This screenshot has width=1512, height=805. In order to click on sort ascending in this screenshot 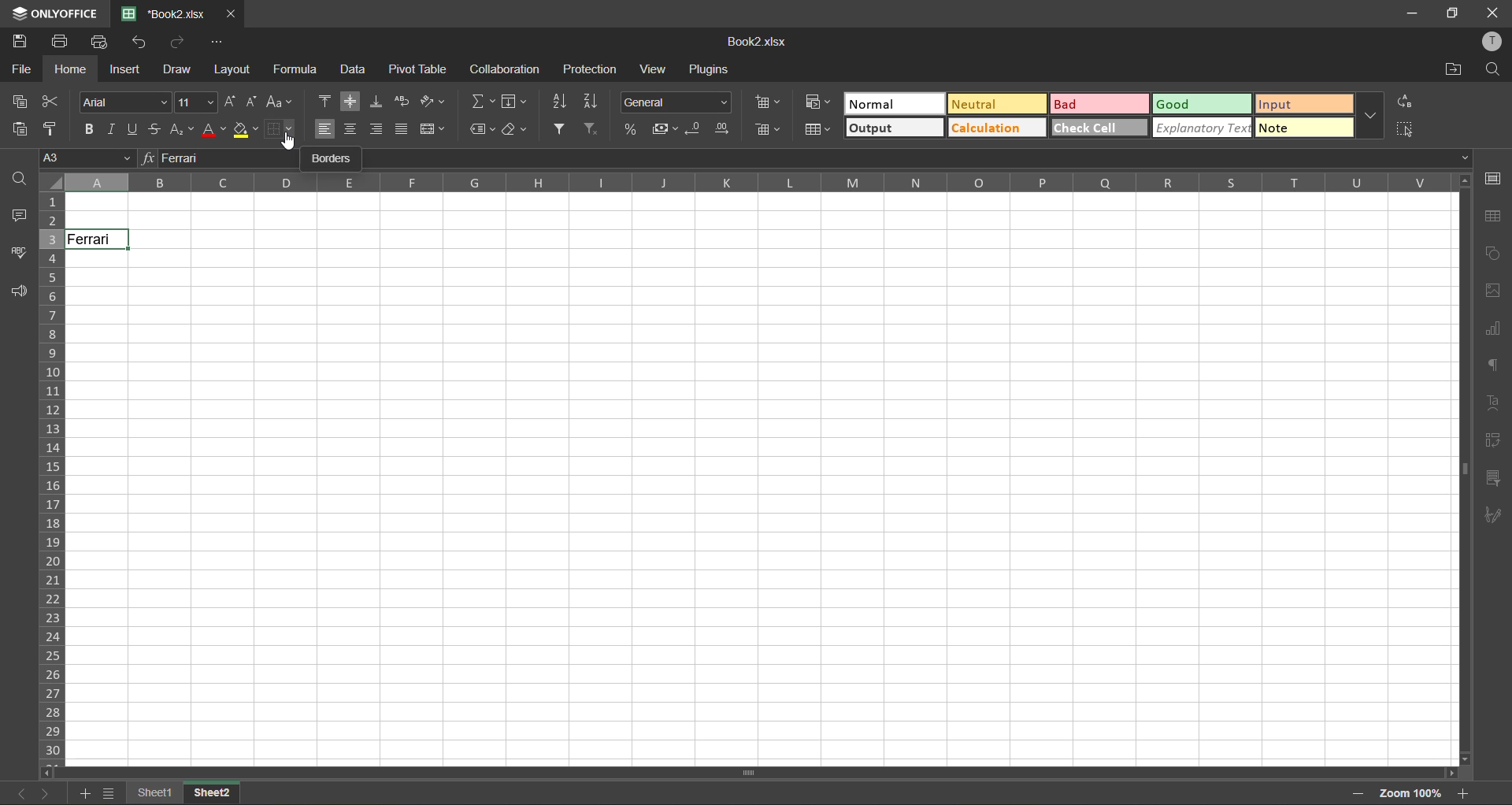, I will do `click(560, 102)`.